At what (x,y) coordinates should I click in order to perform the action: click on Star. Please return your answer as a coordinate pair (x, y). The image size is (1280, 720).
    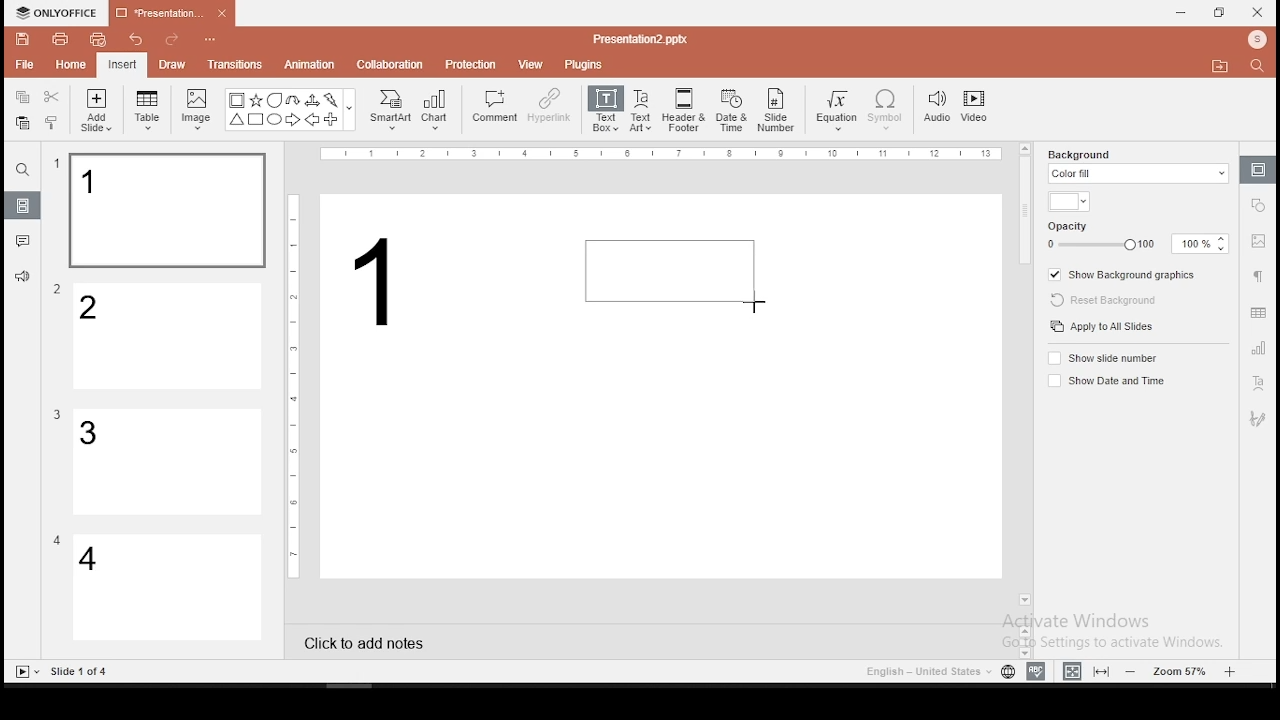
    Looking at the image, I should click on (255, 100).